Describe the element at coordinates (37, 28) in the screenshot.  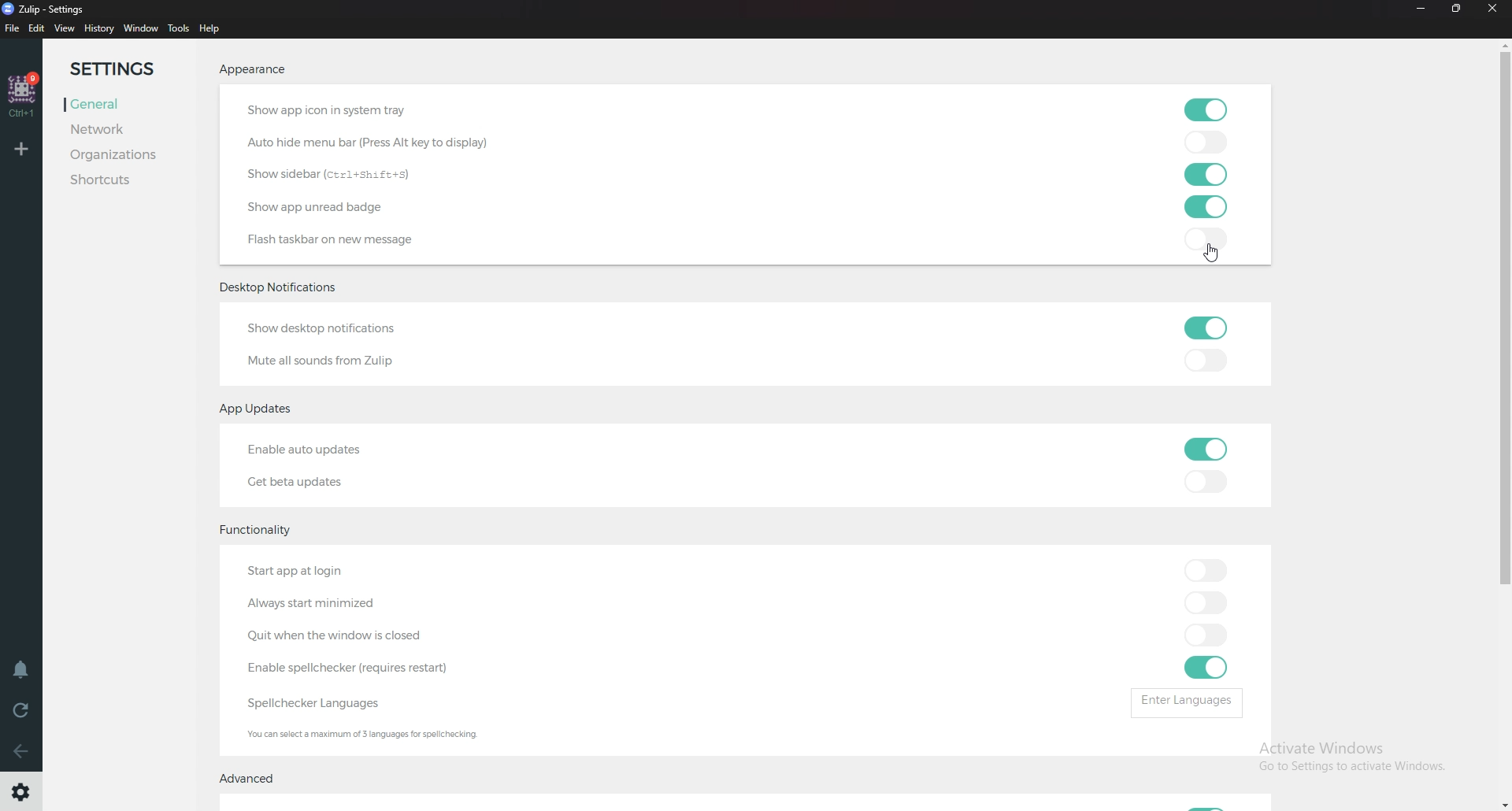
I see `edit` at that location.